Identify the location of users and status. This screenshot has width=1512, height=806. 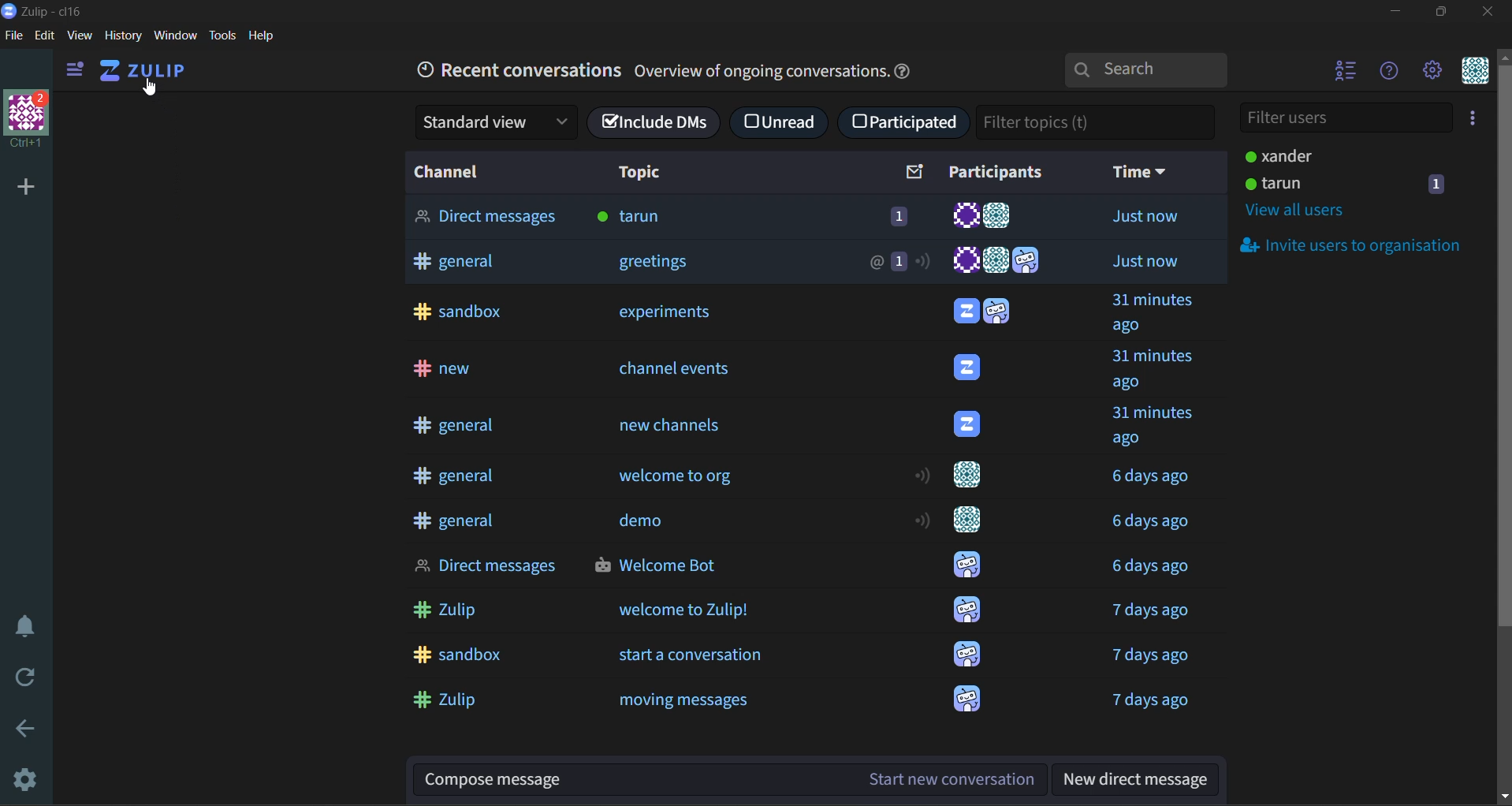
(1356, 186).